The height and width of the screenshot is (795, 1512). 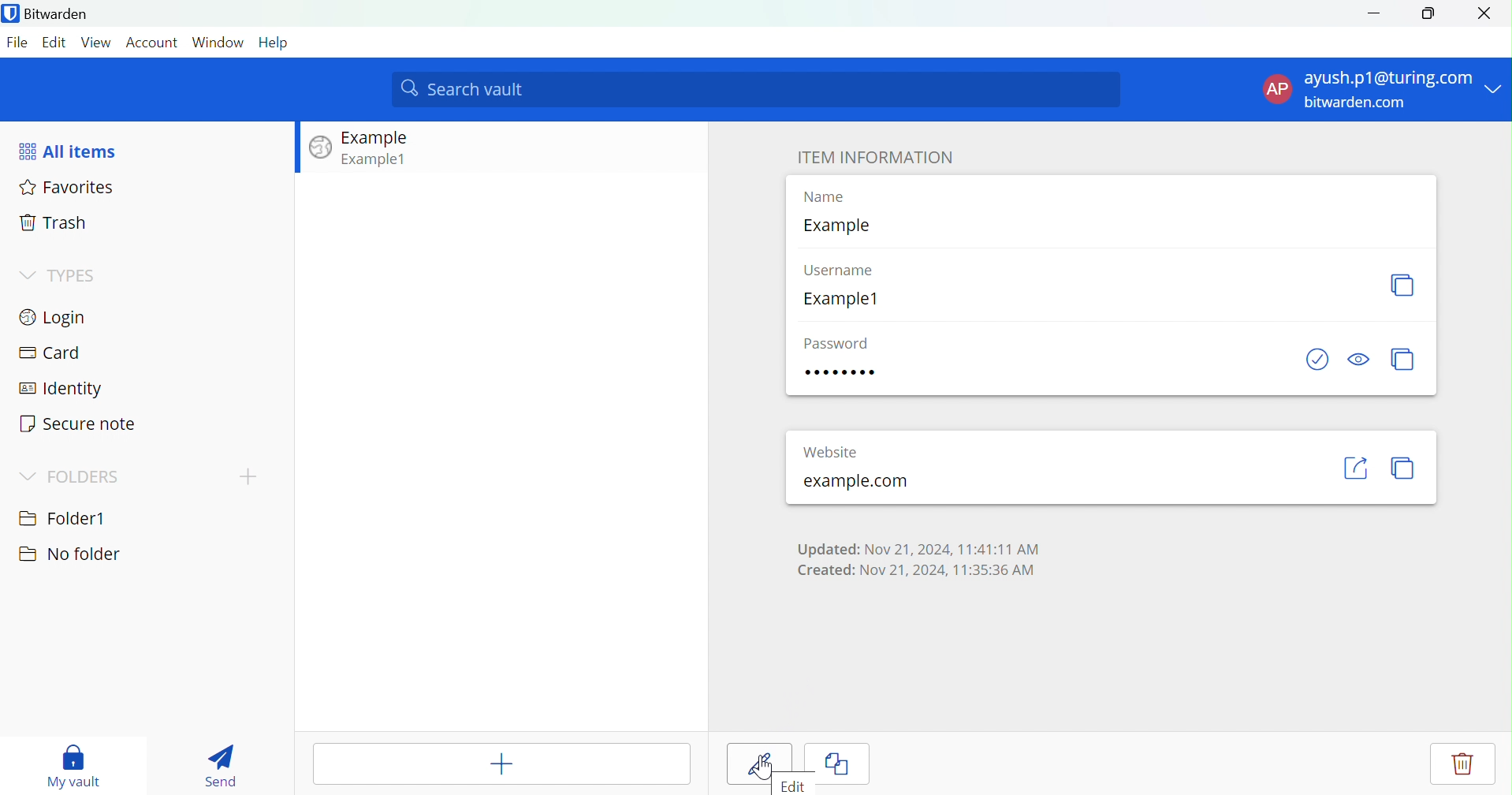 I want to click on Window, so click(x=218, y=42).